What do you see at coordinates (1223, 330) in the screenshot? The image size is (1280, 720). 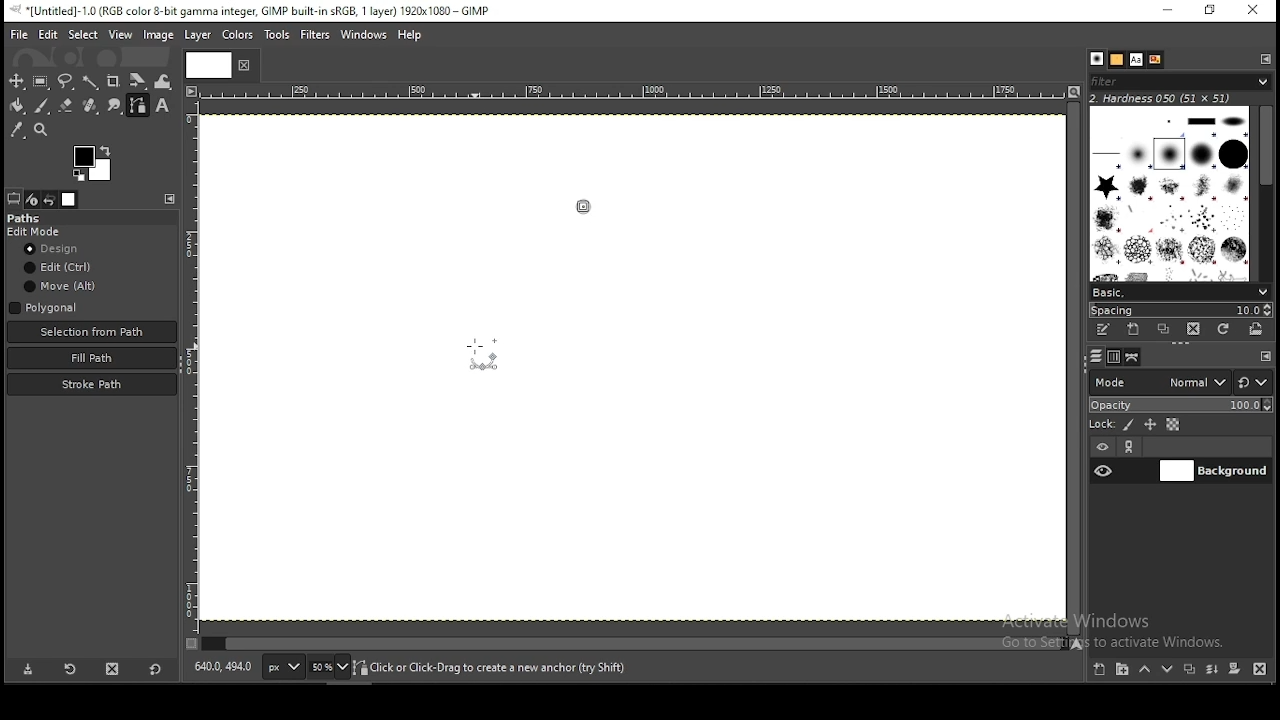 I see `refresh brushes` at bounding box center [1223, 330].